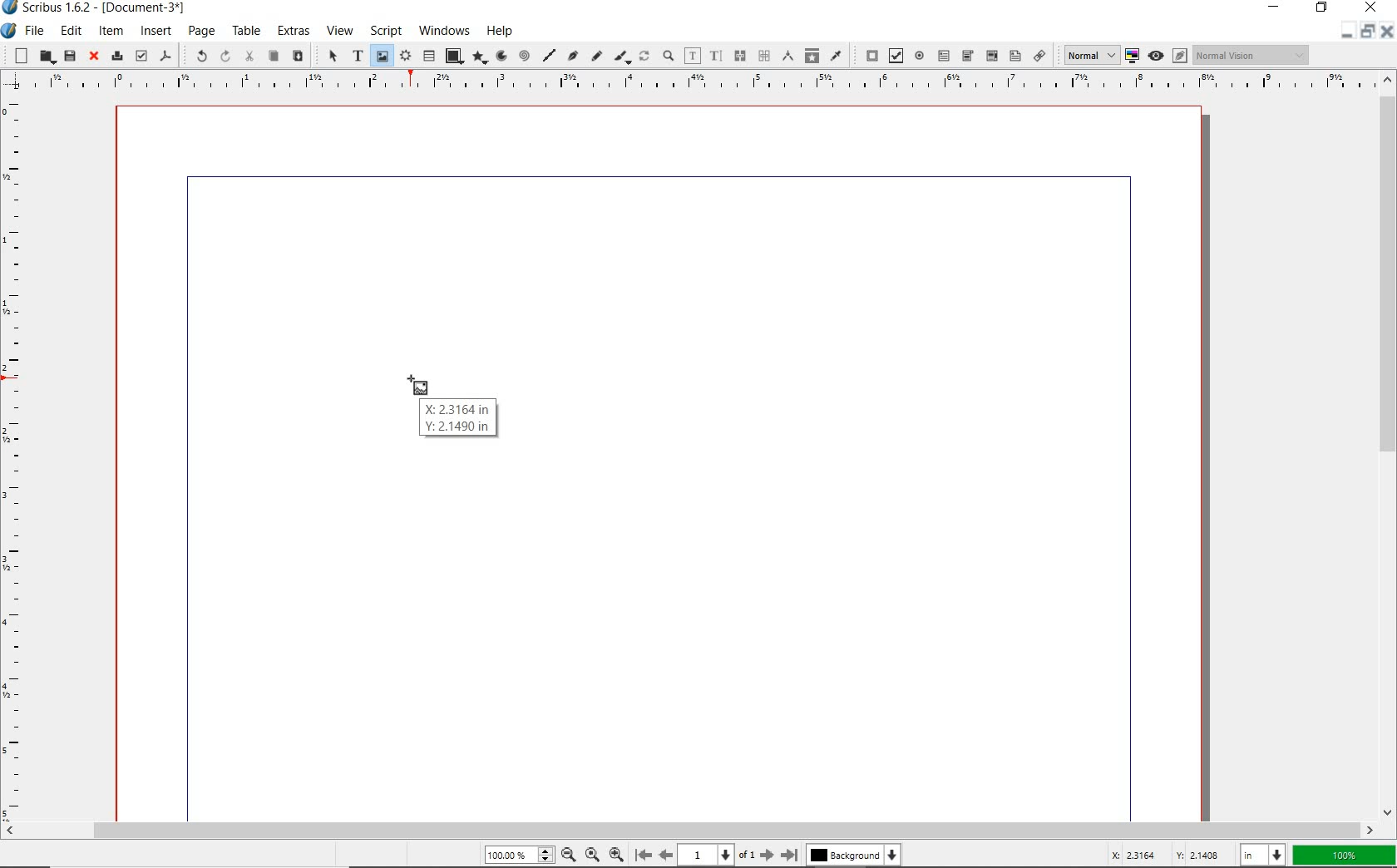  I want to click on paste, so click(299, 57).